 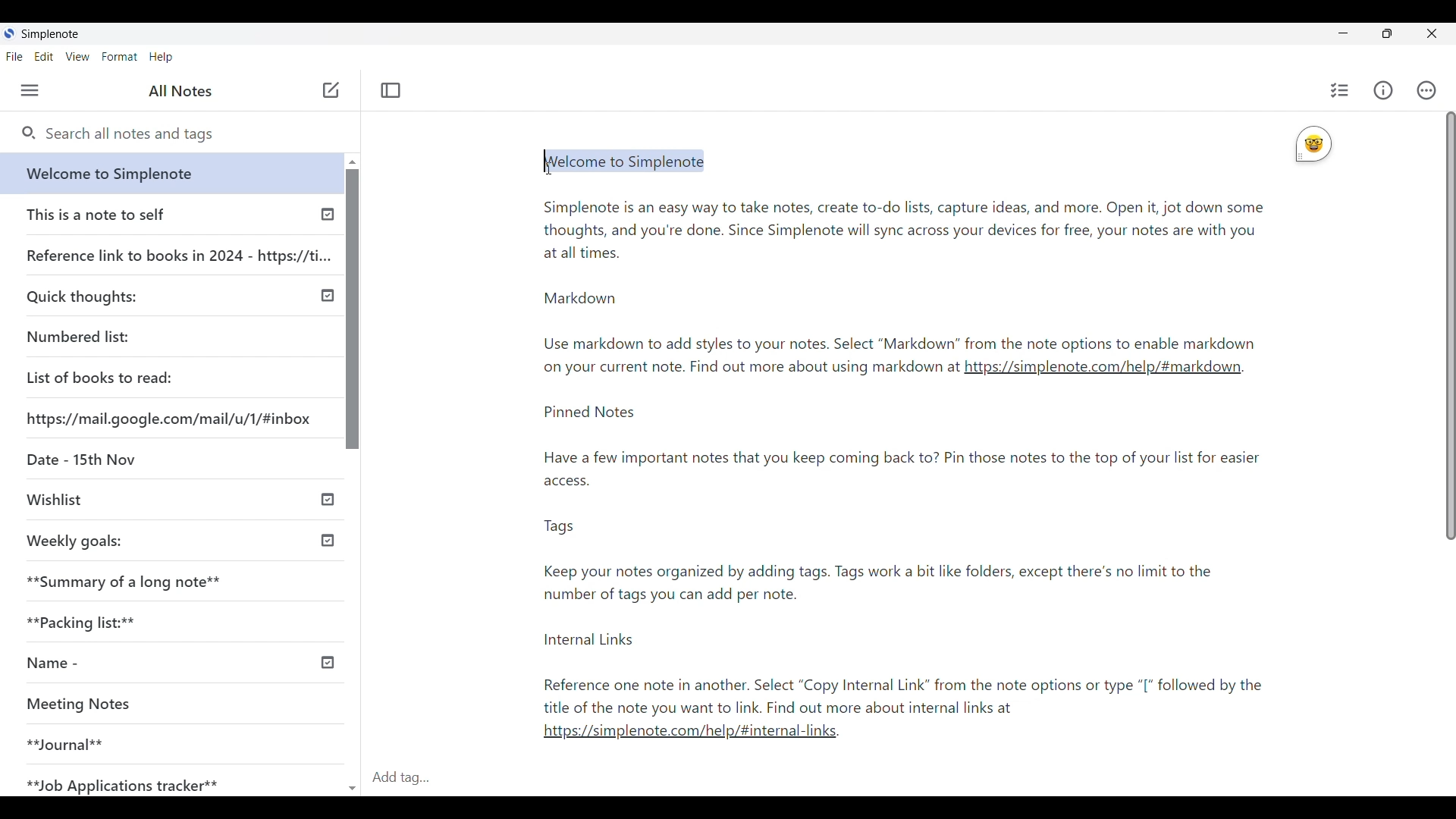 What do you see at coordinates (119, 57) in the screenshot?
I see `Format menu` at bounding box center [119, 57].